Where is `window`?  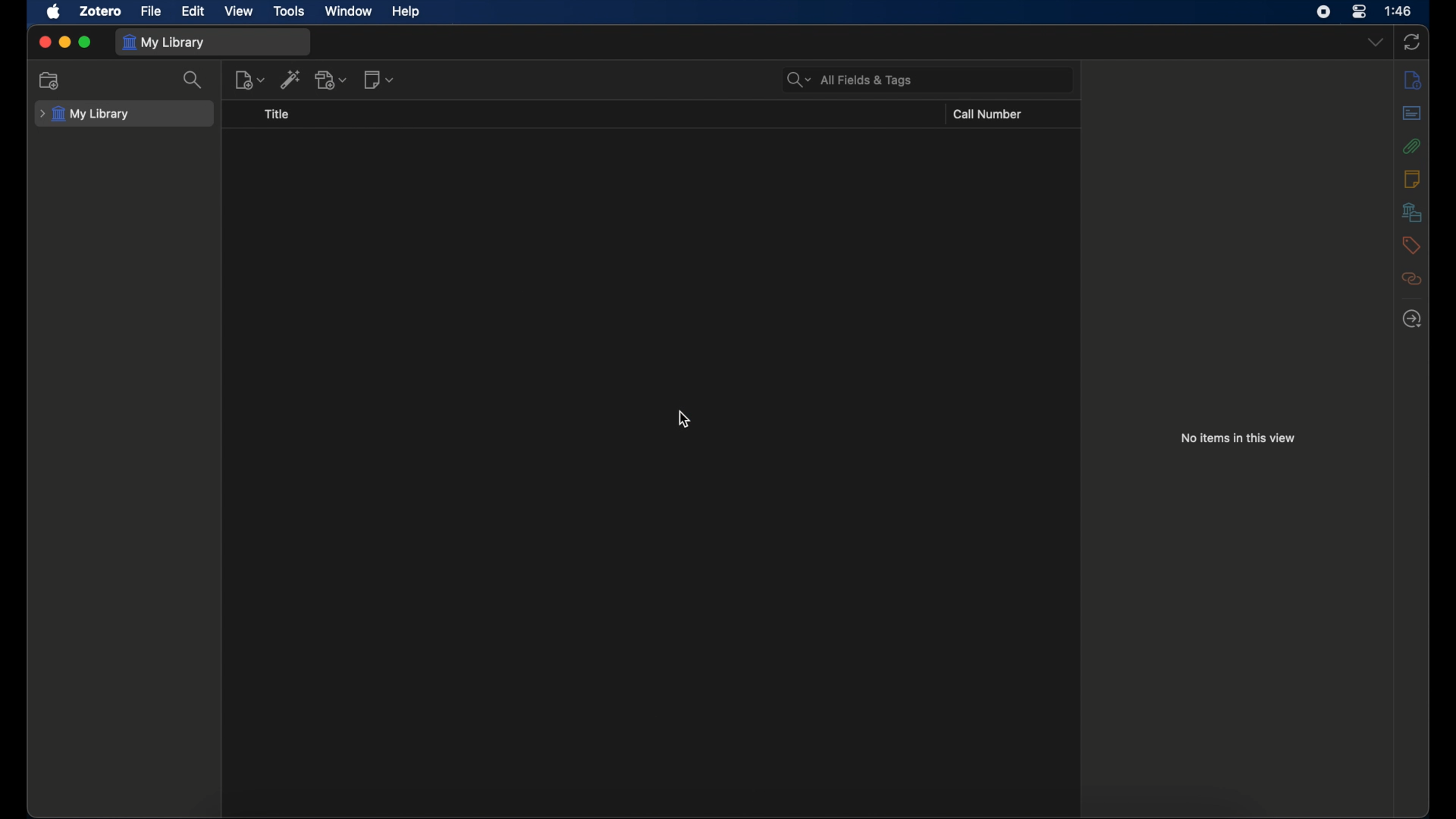 window is located at coordinates (349, 11).